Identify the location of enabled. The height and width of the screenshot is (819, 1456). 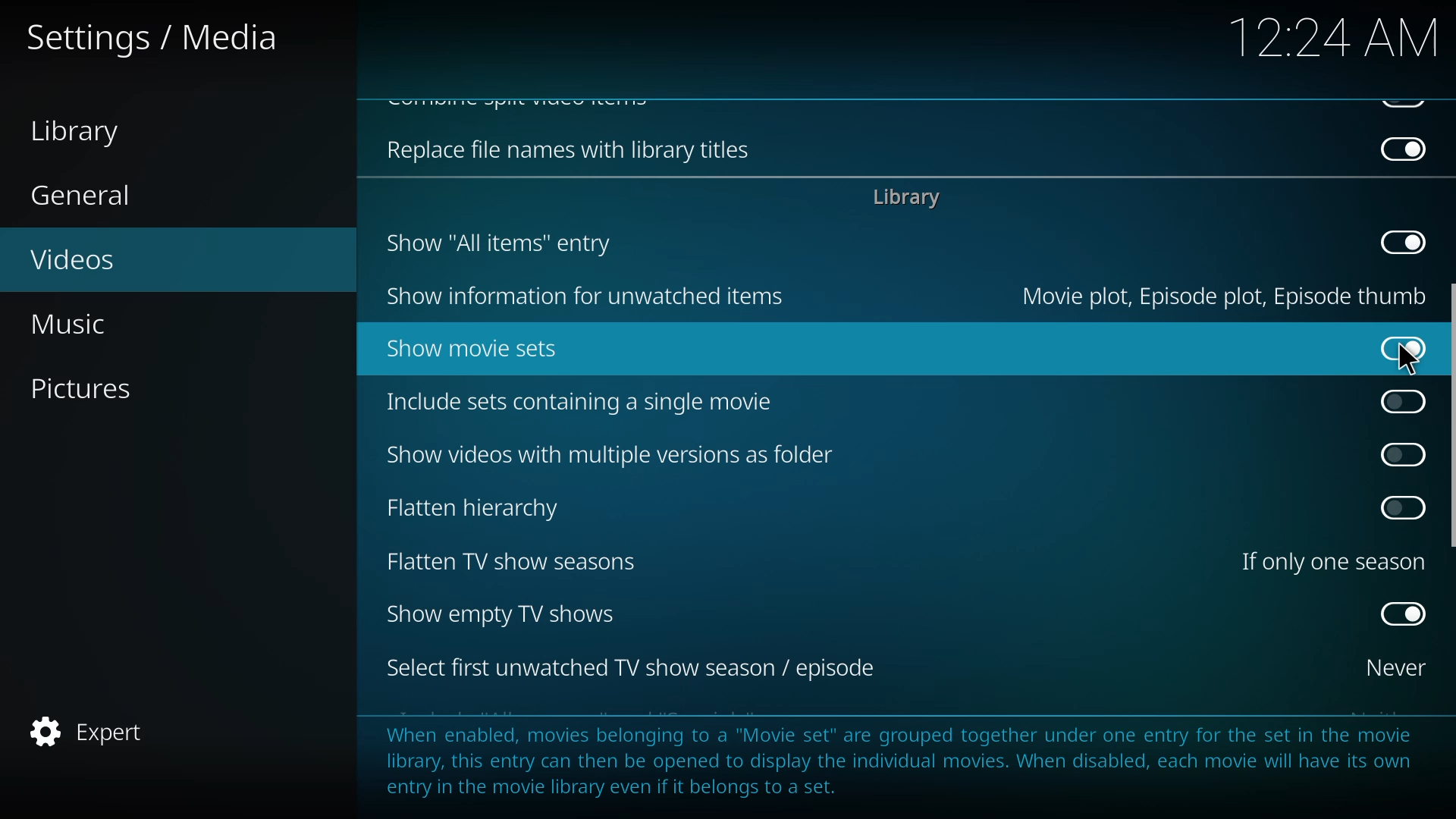
(1395, 348).